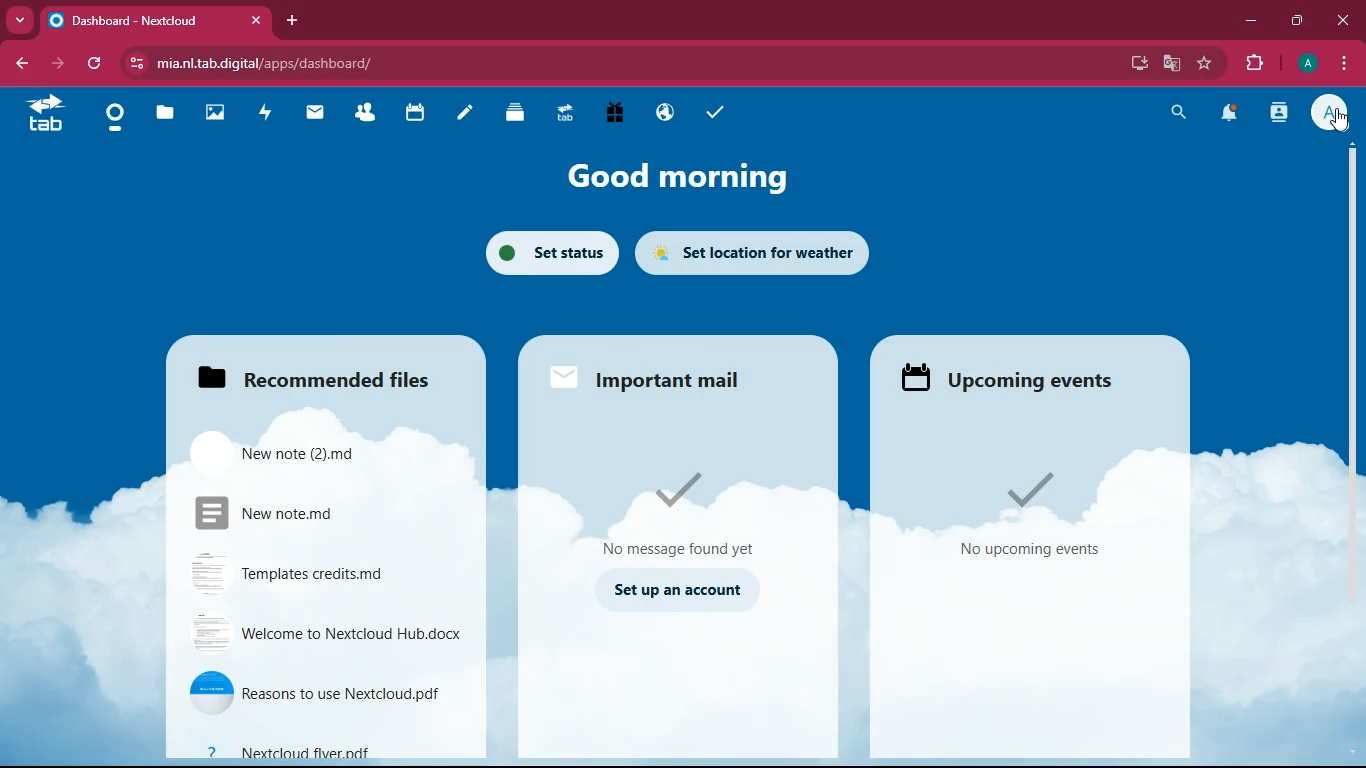 The image size is (1366, 768). Describe the element at coordinates (1338, 121) in the screenshot. I see `cursor` at that location.